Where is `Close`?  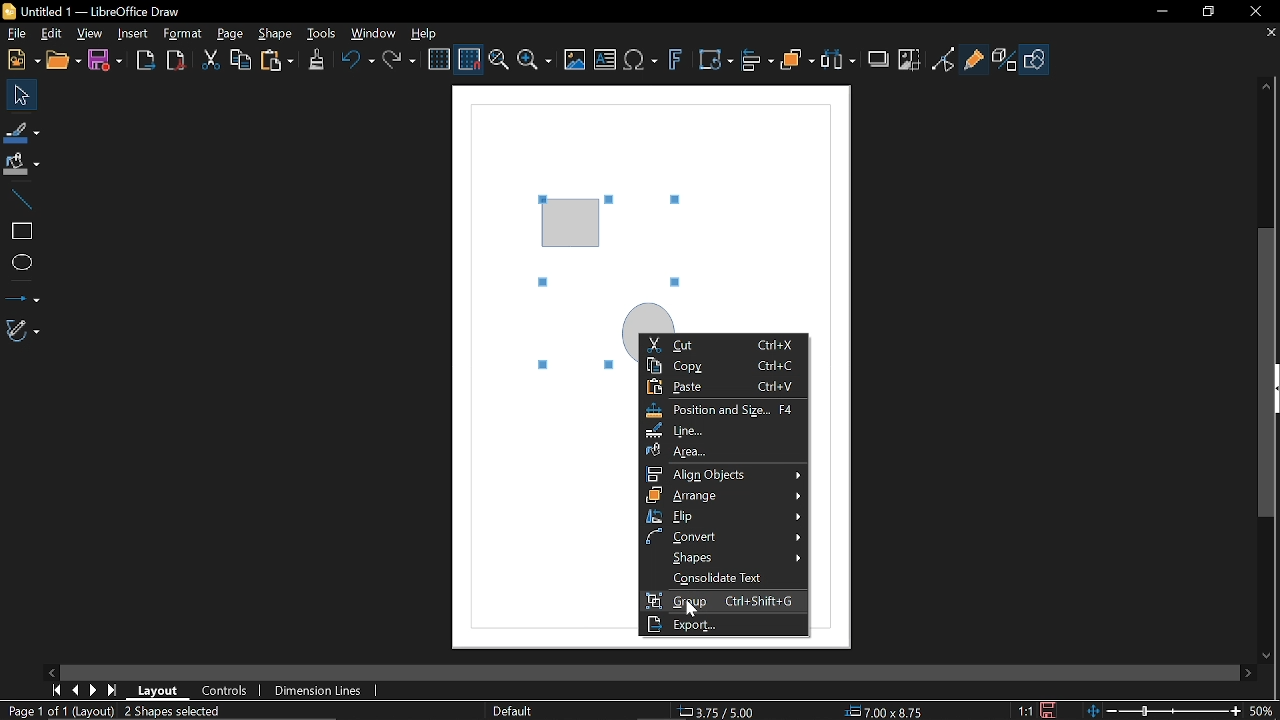
Close is located at coordinates (1258, 11).